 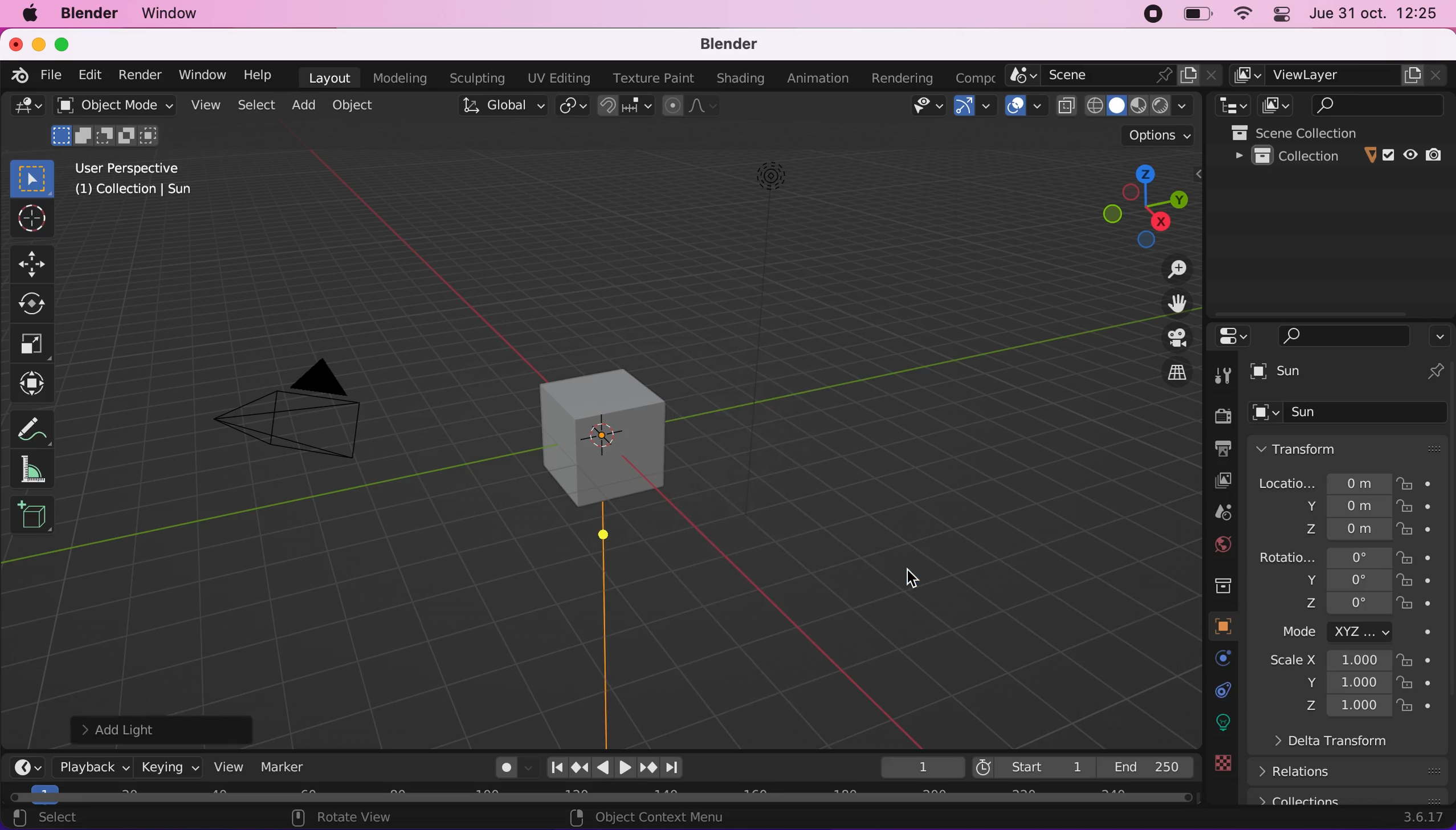 I want to click on Jump to endpoint, so click(x=556, y=766).